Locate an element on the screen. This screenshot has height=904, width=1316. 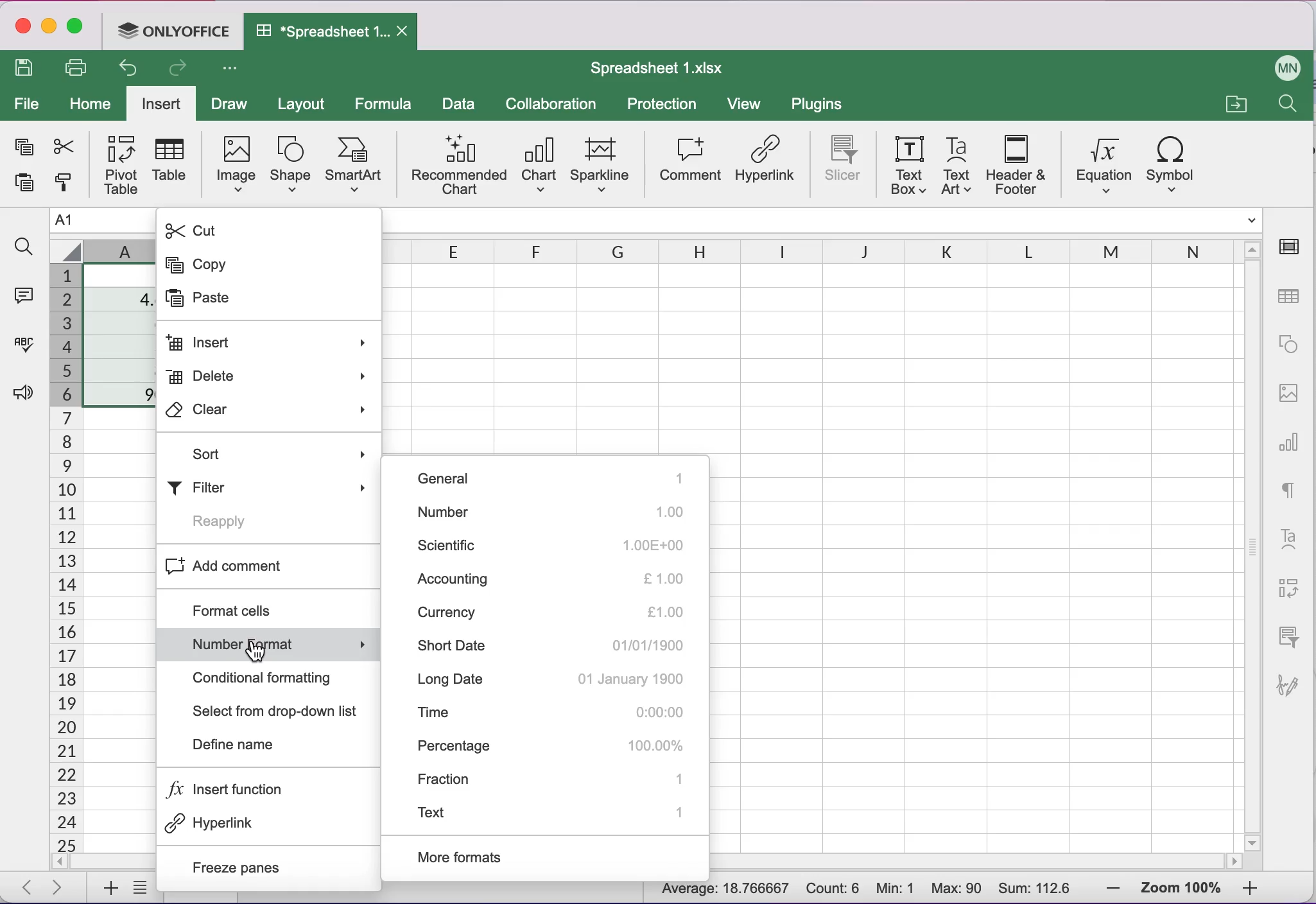
pivot table is located at coordinates (117, 164).